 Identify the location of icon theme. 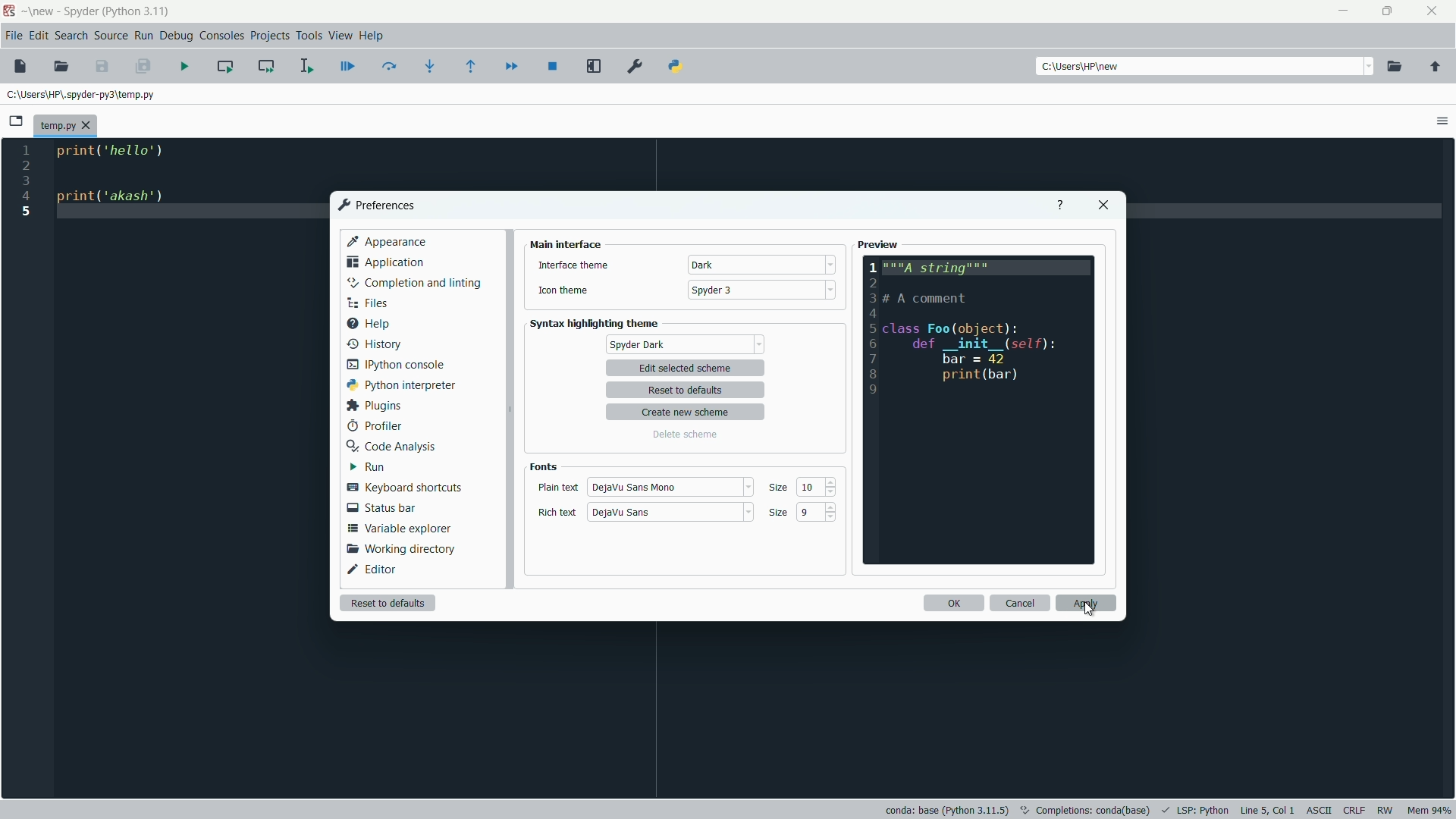
(563, 293).